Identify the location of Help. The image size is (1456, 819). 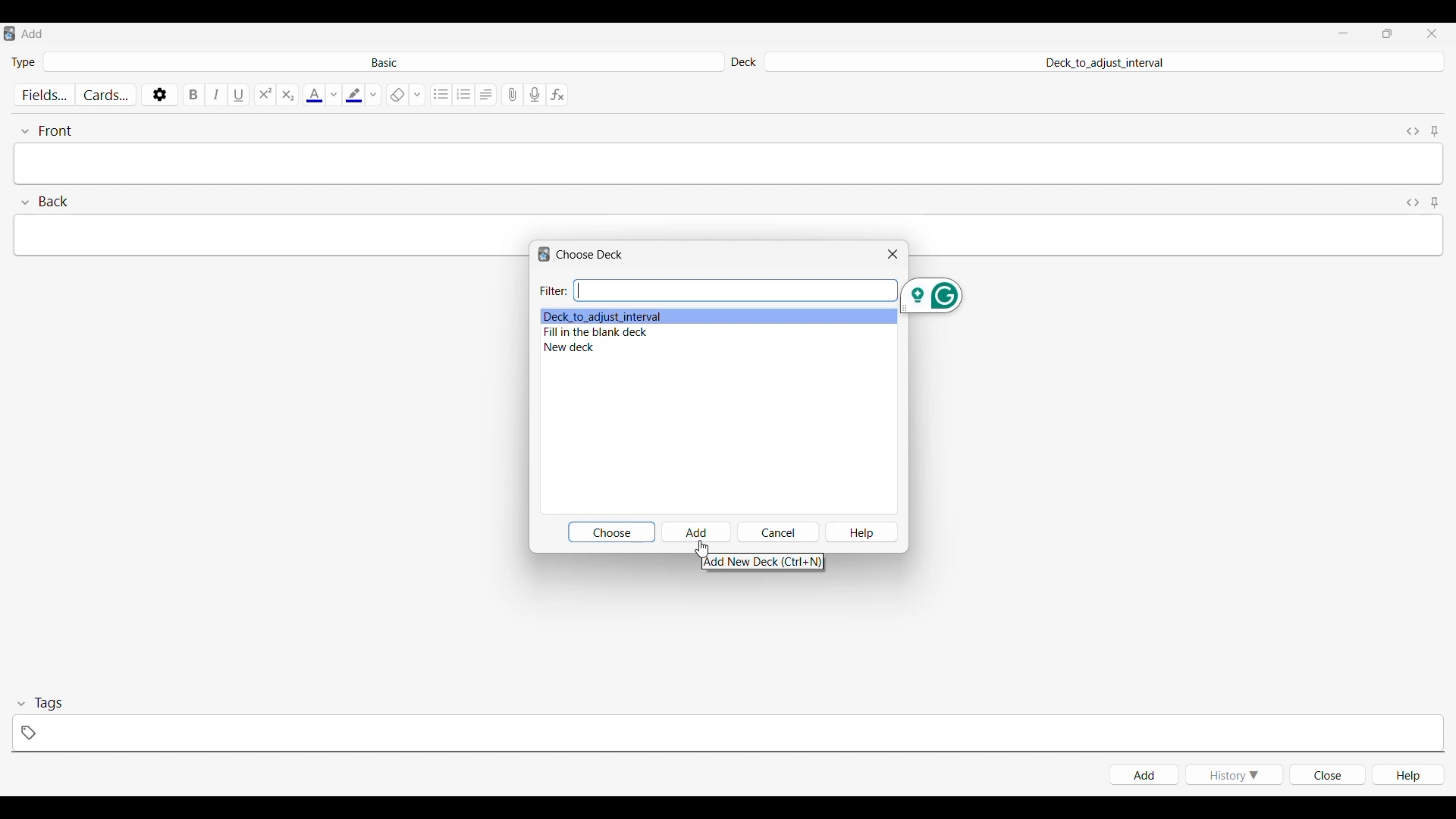
(1408, 774).